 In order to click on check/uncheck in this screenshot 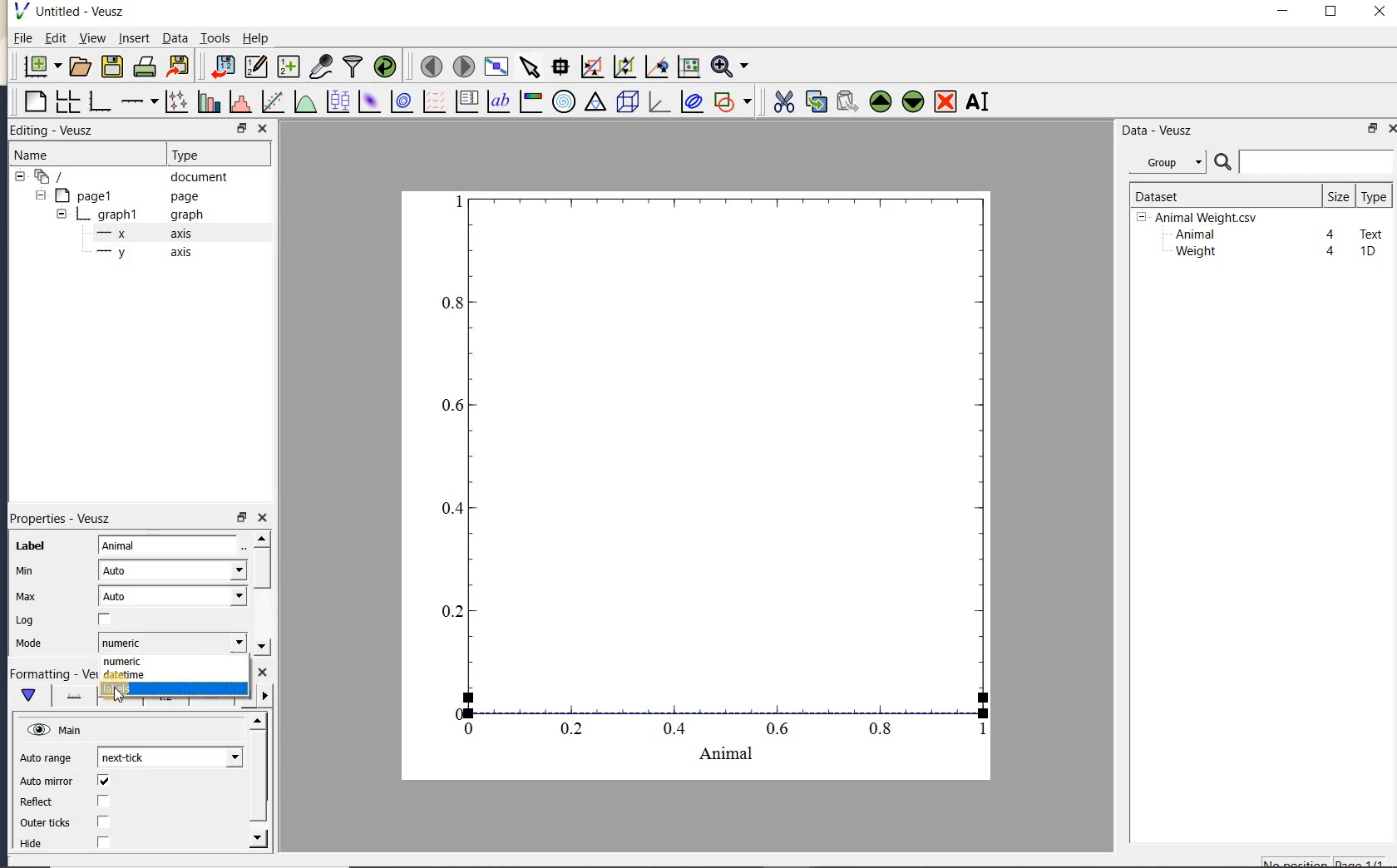, I will do `click(103, 781)`.